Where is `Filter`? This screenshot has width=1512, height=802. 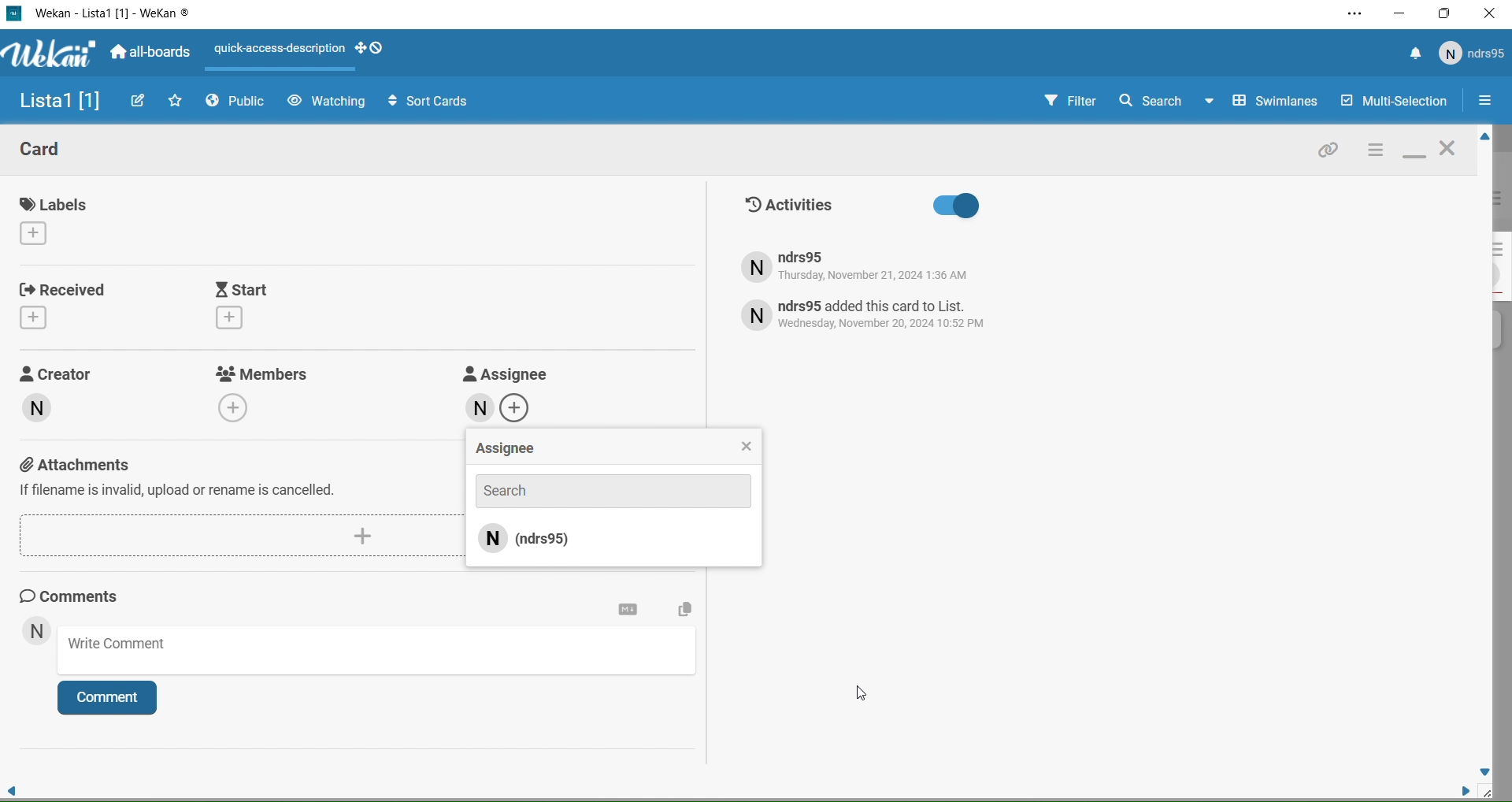
Filter is located at coordinates (1056, 102).